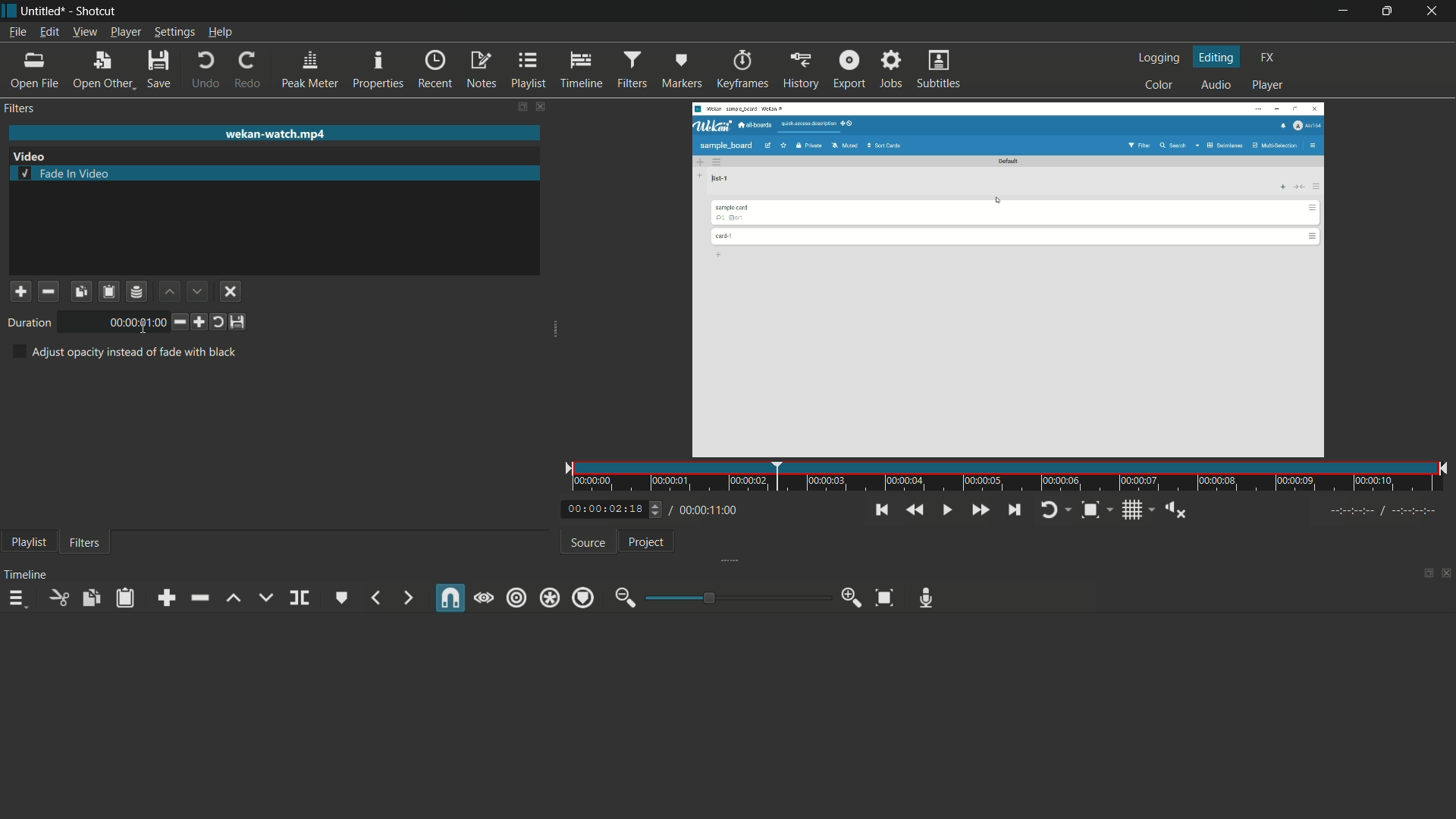 The image size is (1456, 819). What do you see at coordinates (1389, 11) in the screenshot?
I see `maximize` at bounding box center [1389, 11].